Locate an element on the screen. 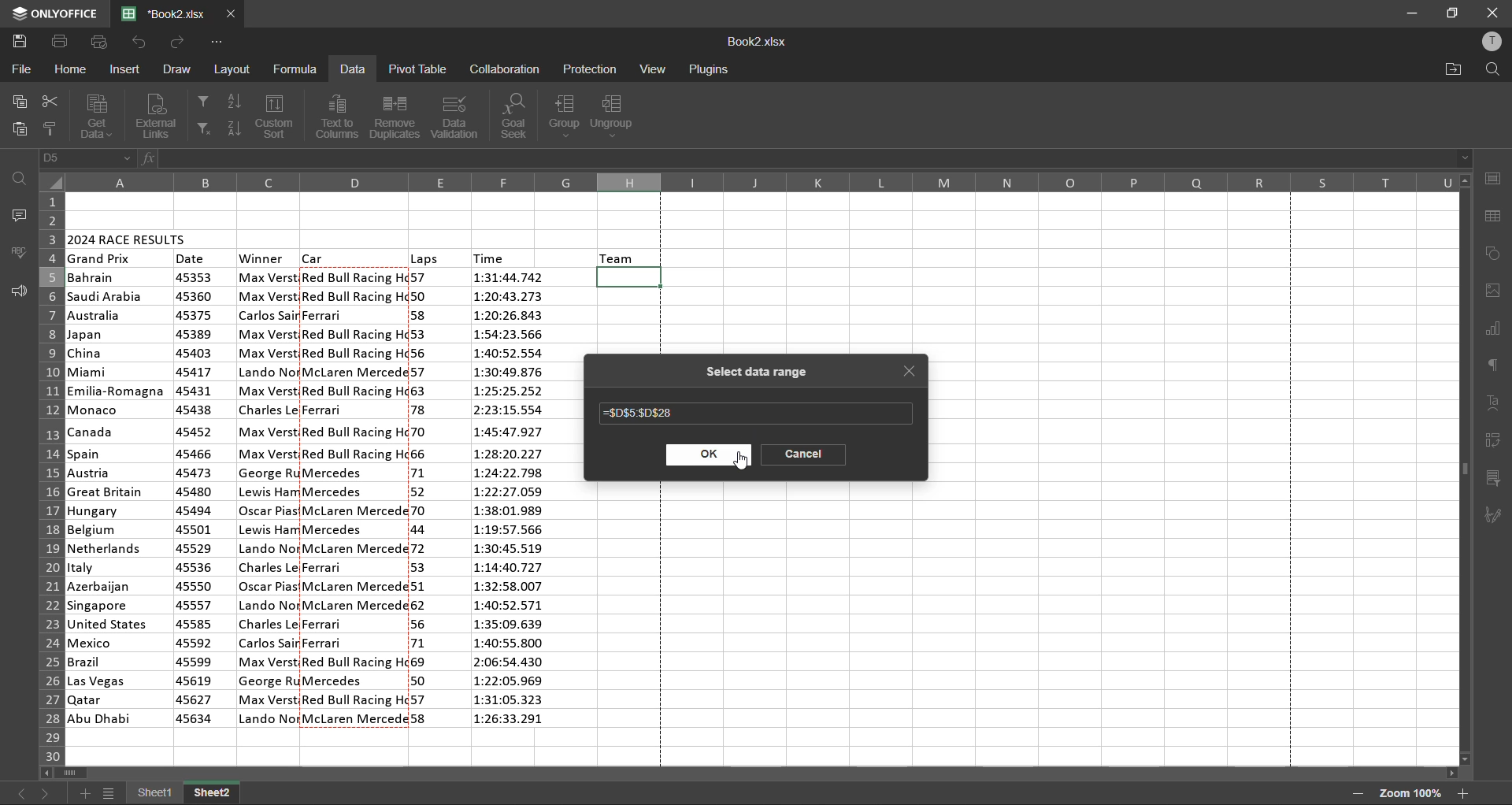  add sheet is located at coordinates (84, 793).